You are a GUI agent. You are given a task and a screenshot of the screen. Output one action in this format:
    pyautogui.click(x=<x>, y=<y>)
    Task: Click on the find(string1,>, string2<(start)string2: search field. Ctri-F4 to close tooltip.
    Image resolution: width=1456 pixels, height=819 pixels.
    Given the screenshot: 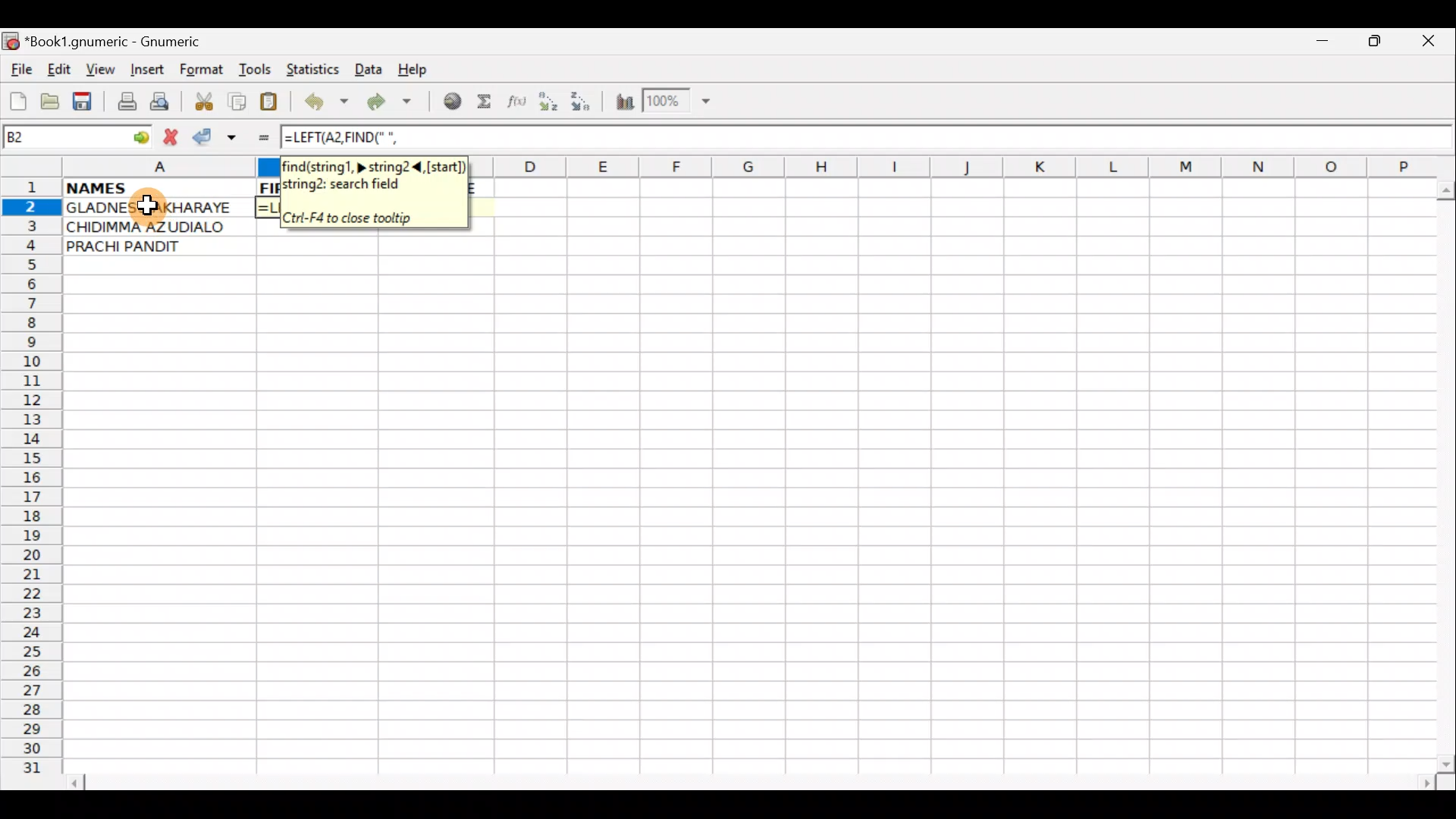 What is the action you would take?
    pyautogui.click(x=374, y=193)
    